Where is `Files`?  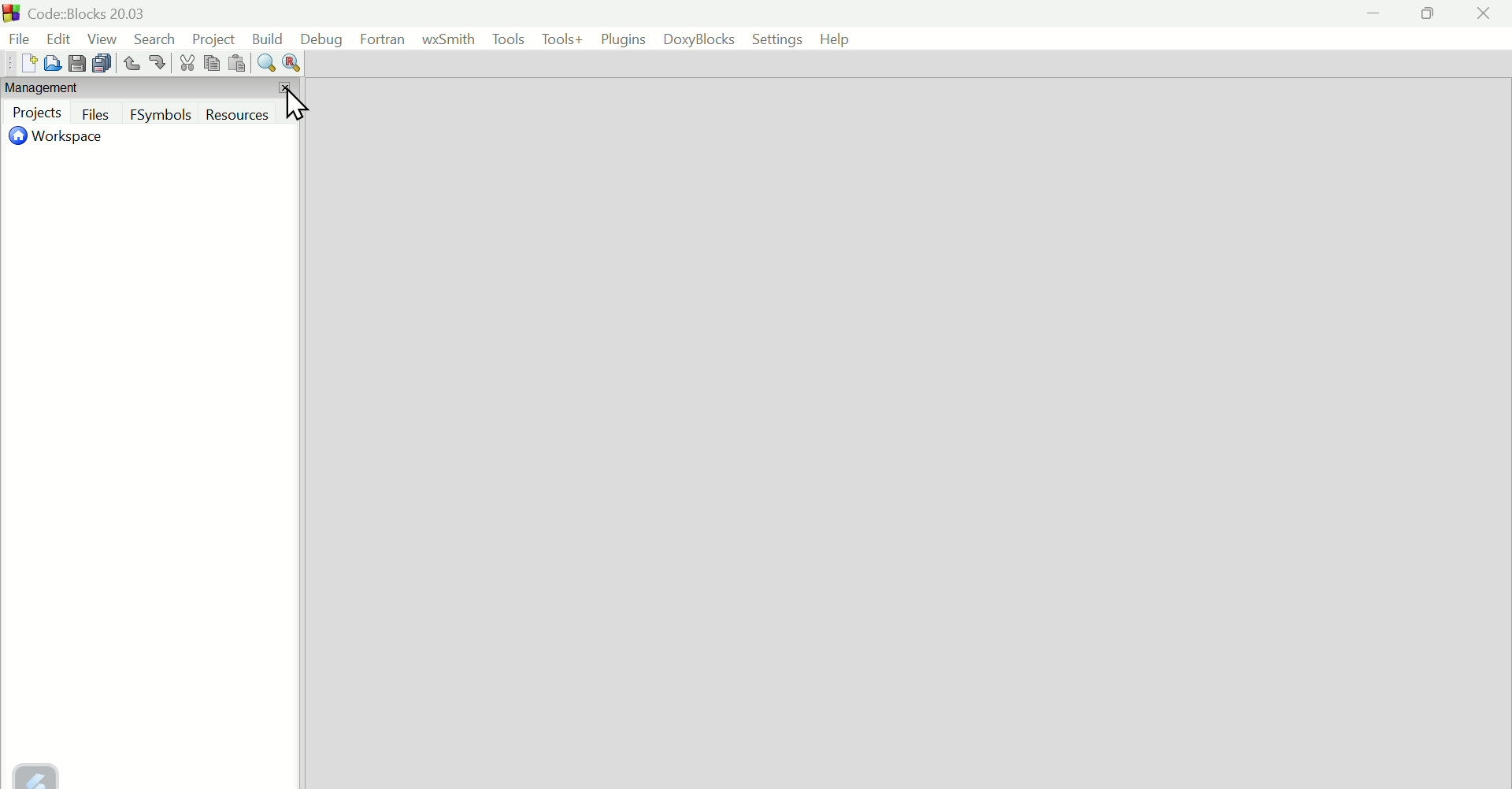 Files is located at coordinates (98, 114).